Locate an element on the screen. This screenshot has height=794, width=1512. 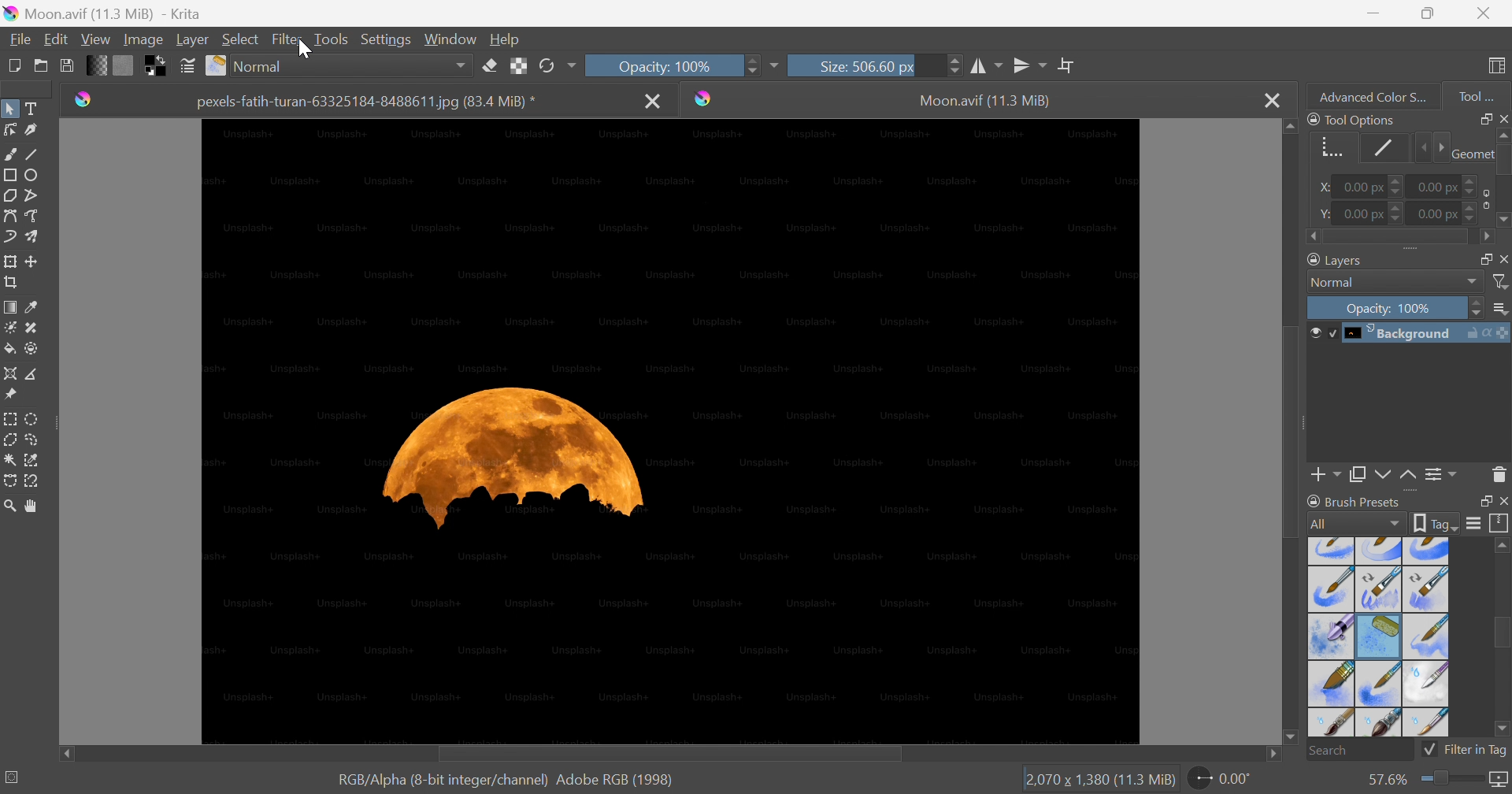
Fill patterns is located at coordinates (123, 64).